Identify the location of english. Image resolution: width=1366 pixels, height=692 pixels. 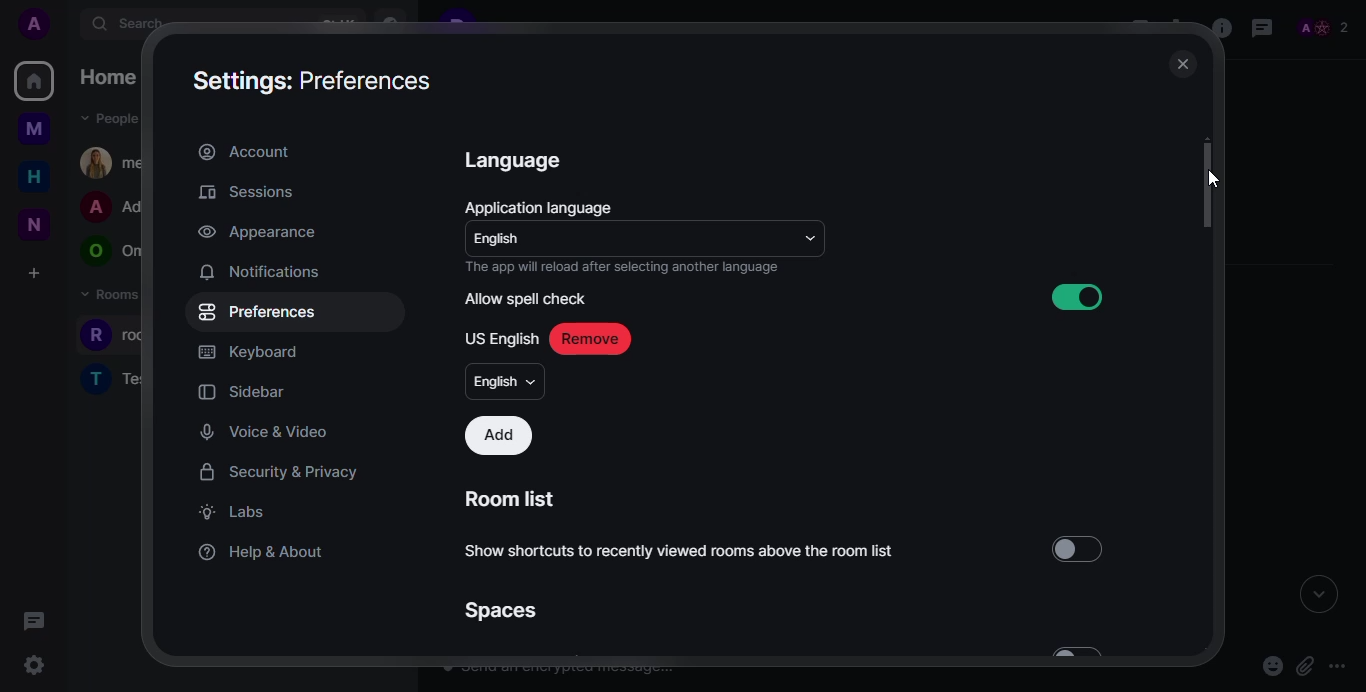
(506, 381).